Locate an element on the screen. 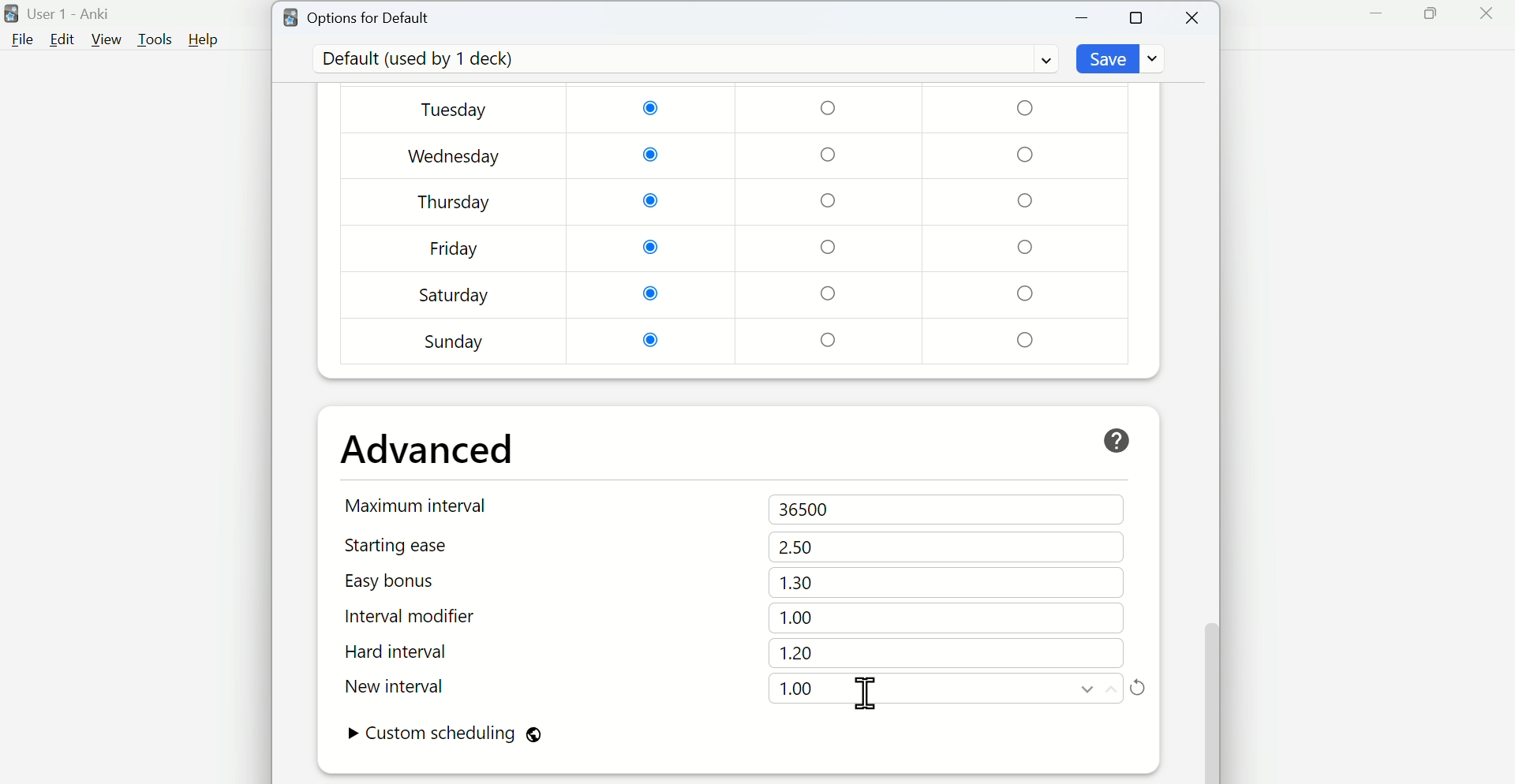 This screenshot has height=784, width=1515. Saturday is located at coordinates (454, 295).